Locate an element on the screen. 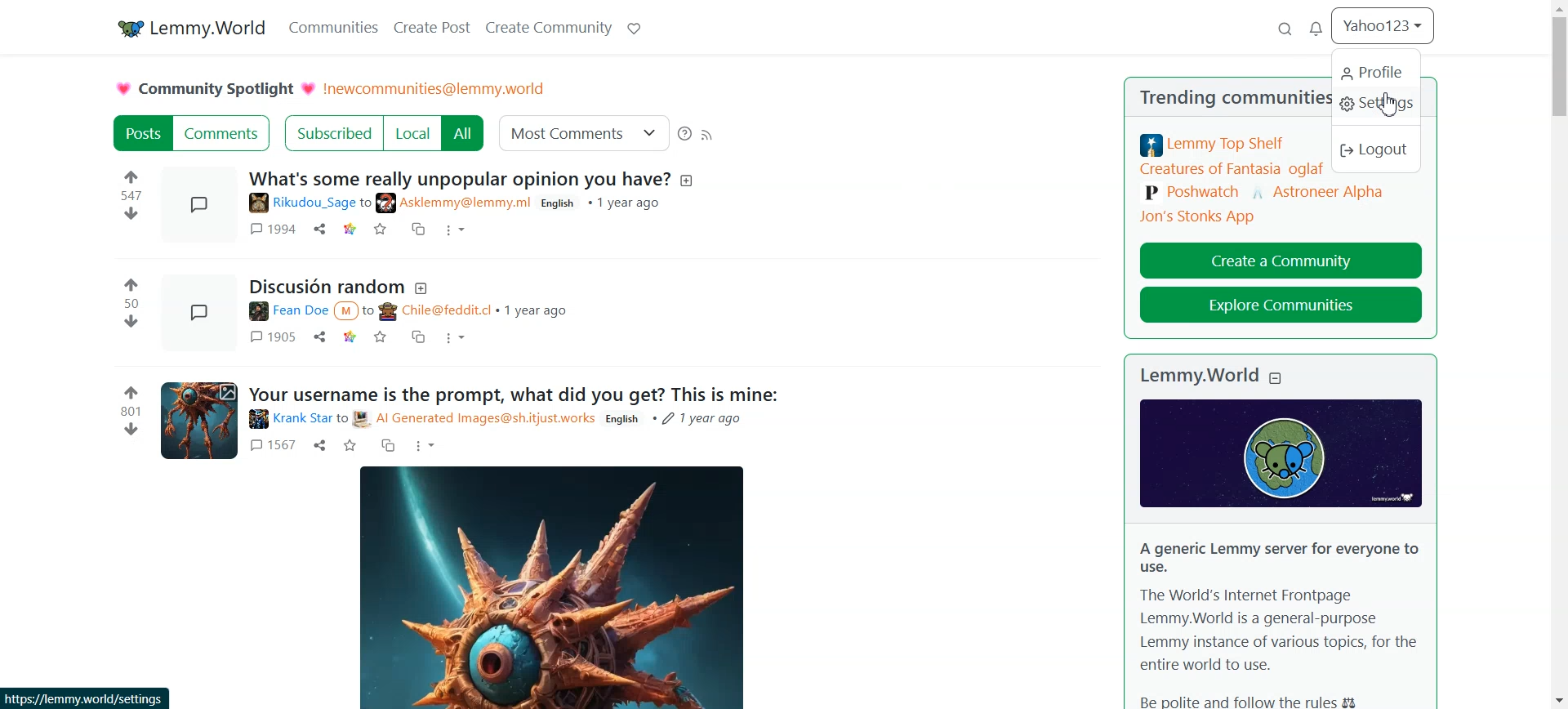 The height and width of the screenshot is (709, 1568). save is located at coordinates (351, 445).